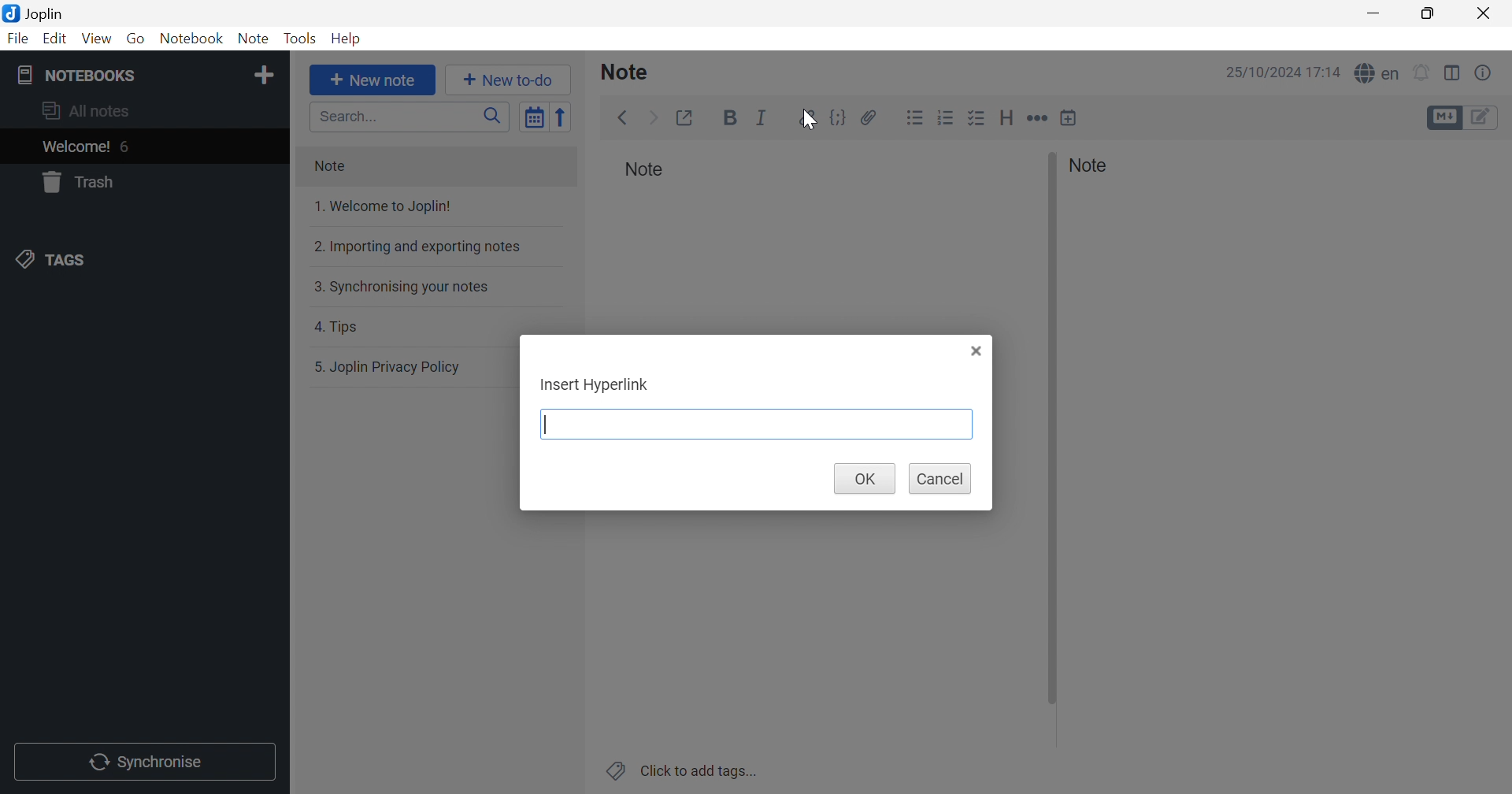 The height and width of the screenshot is (794, 1512). I want to click on Note, so click(255, 39).